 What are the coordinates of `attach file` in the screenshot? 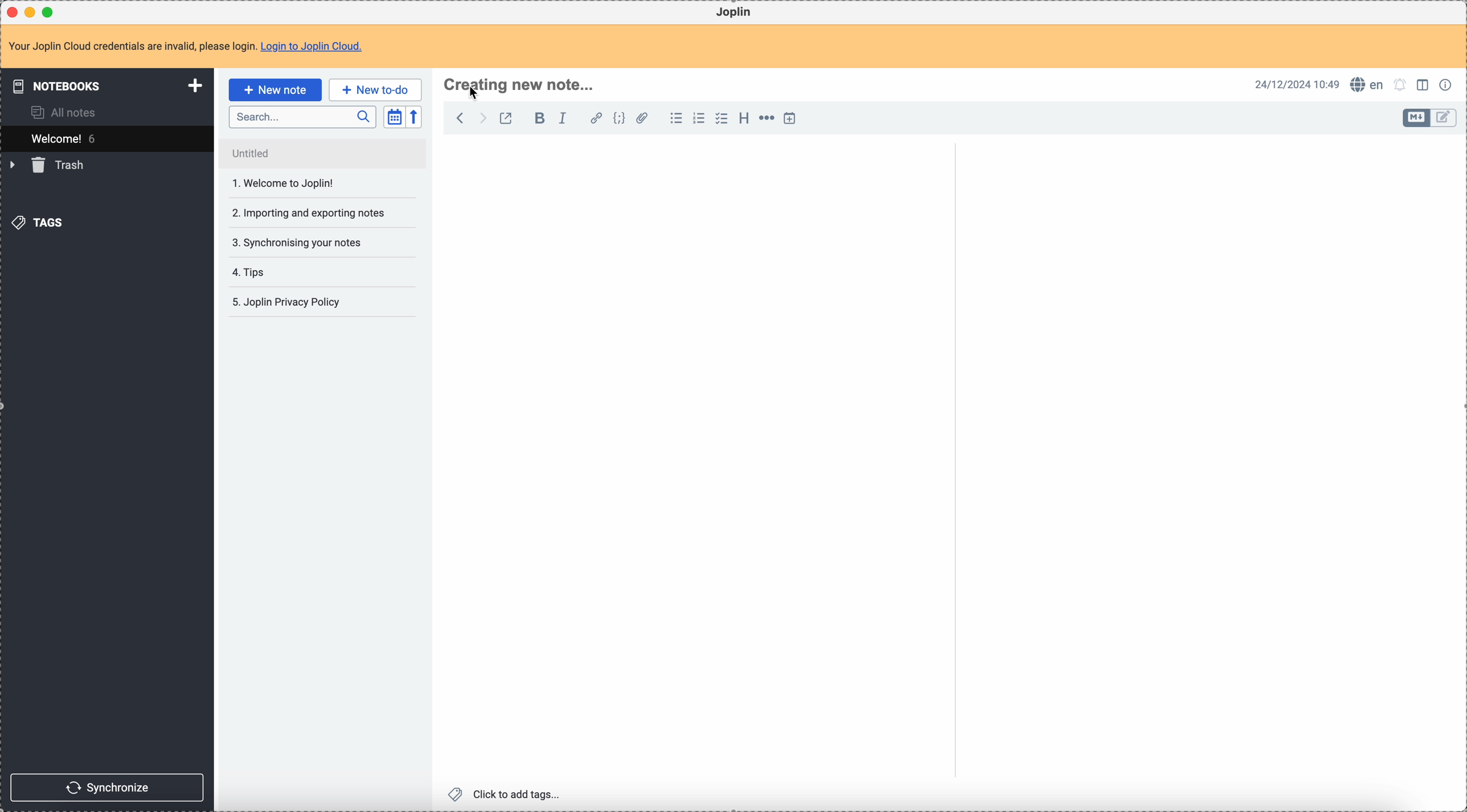 It's located at (644, 119).